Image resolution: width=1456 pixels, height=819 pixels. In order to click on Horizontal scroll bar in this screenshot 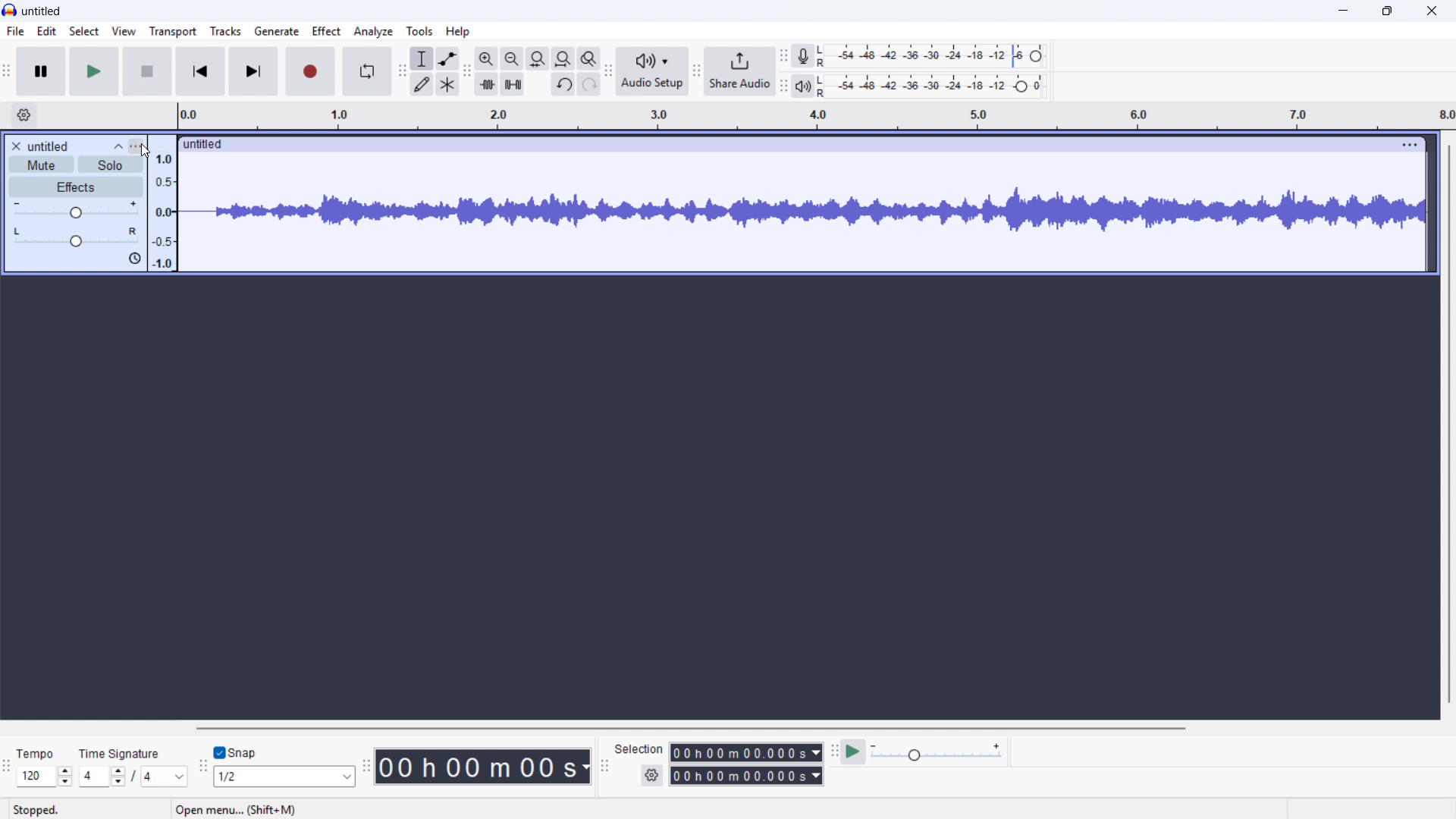, I will do `click(809, 729)`.